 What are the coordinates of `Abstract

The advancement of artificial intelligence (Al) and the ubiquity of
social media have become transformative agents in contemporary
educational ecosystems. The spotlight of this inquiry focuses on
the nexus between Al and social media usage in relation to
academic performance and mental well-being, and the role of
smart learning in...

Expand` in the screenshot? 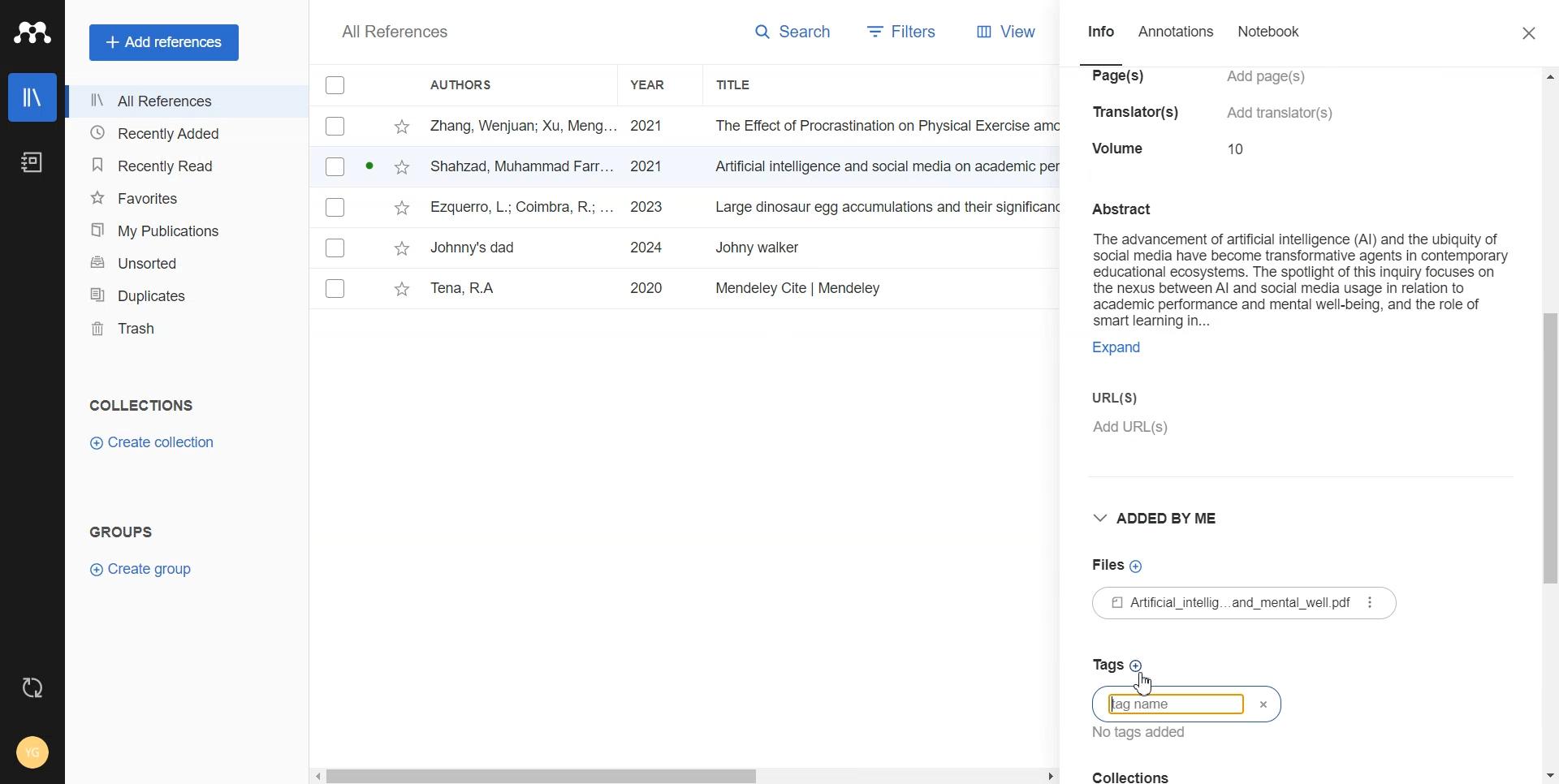 It's located at (1299, 278).